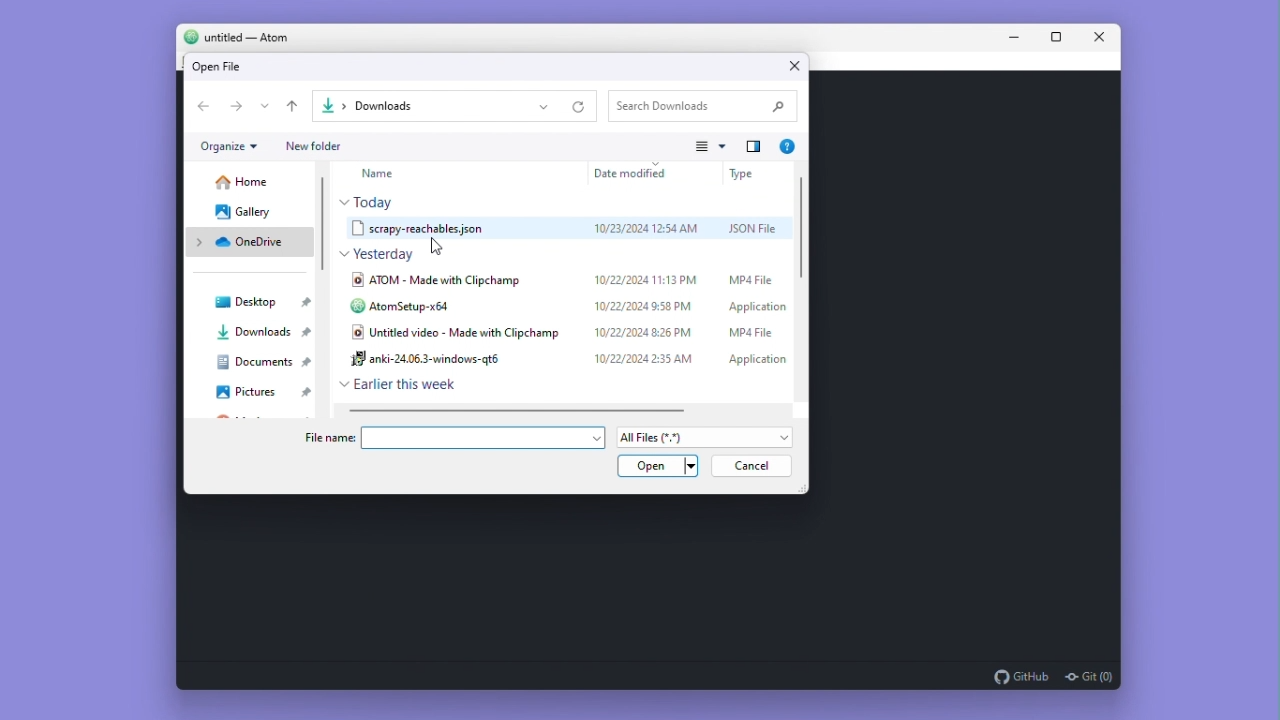 This screenshot has width=1280, height=720. What do you see at coordinates (380, 255) in the screenshot?
I see `Yesterday` at bounding box center [380, 255].